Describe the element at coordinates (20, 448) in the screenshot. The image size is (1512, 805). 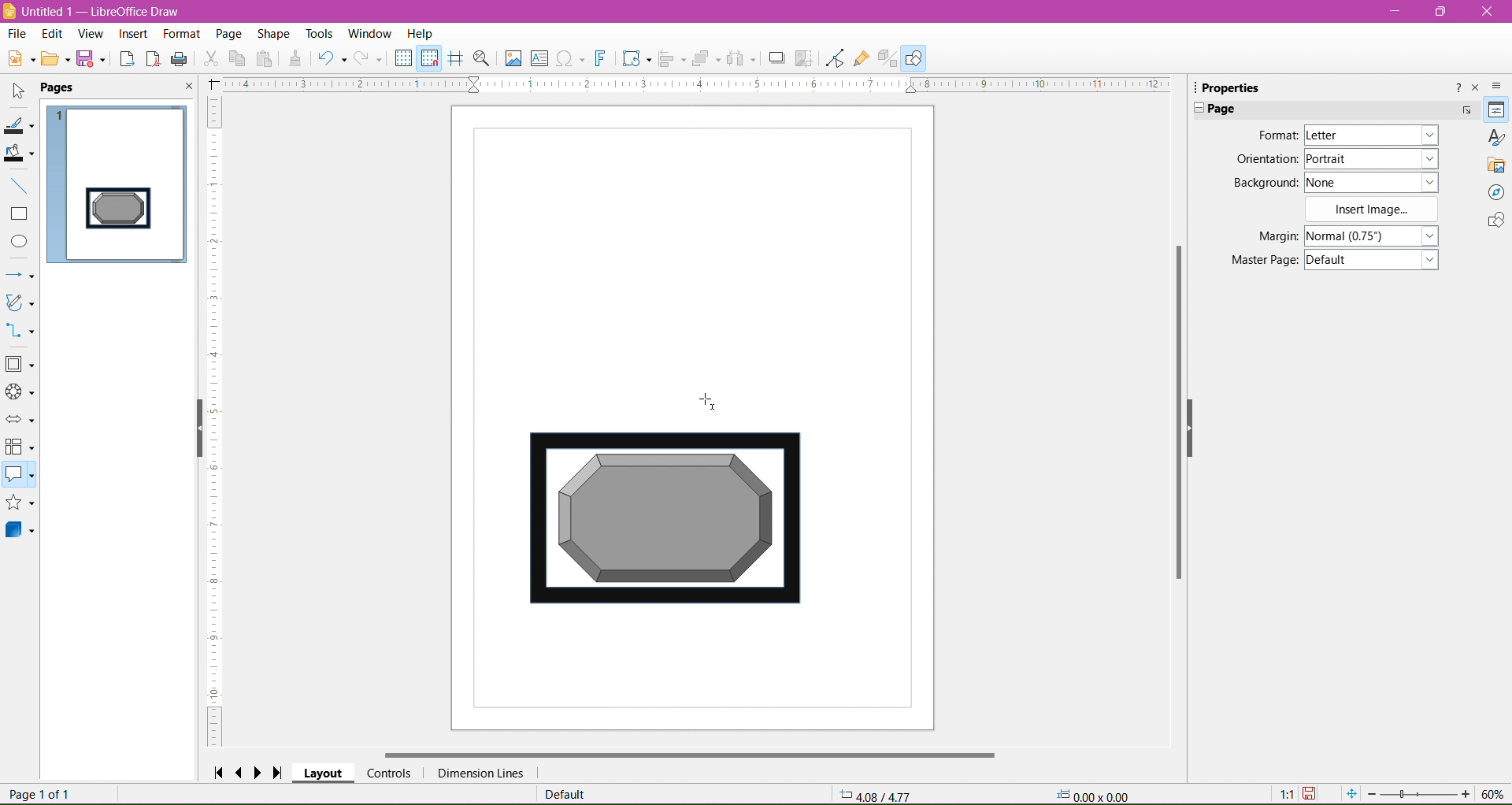
I see `Flowcharts` at that location.